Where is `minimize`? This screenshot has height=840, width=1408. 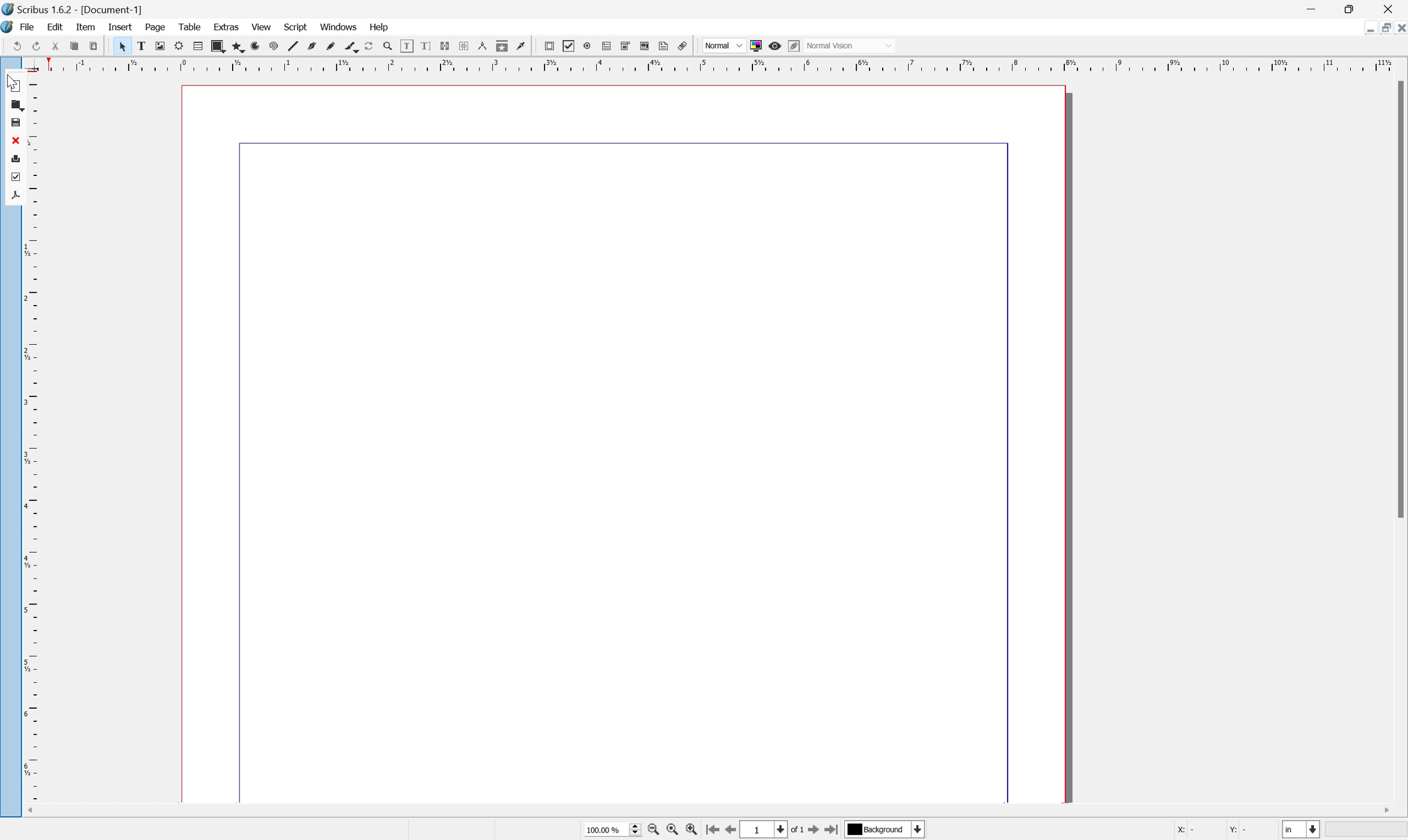
minimize is located at coordinates (1311, 8).